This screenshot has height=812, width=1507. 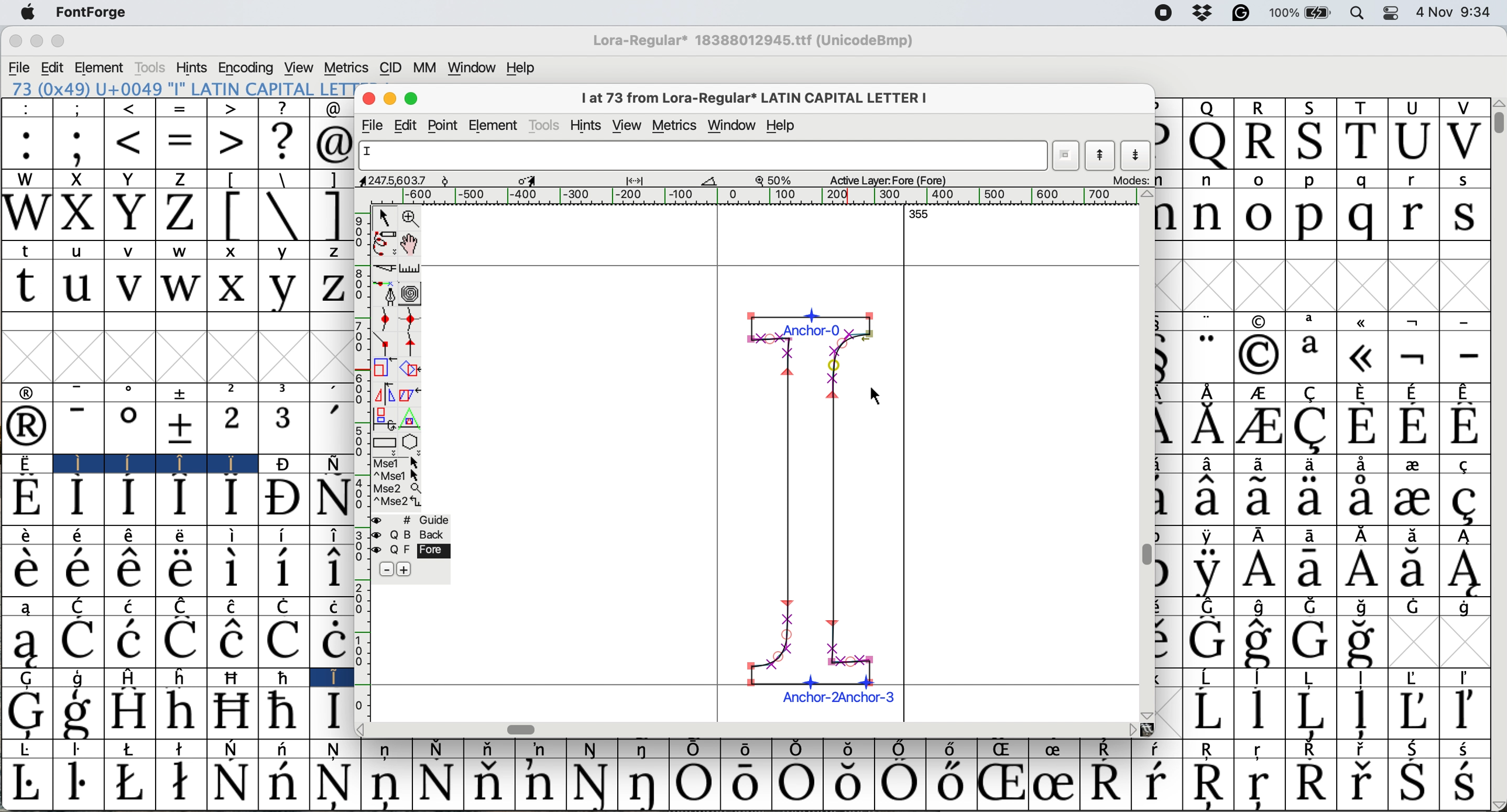 What do you see at coordinates (810, 503) in the screenshot?
I see `chosen glyph` at bounding box center [810, 503].